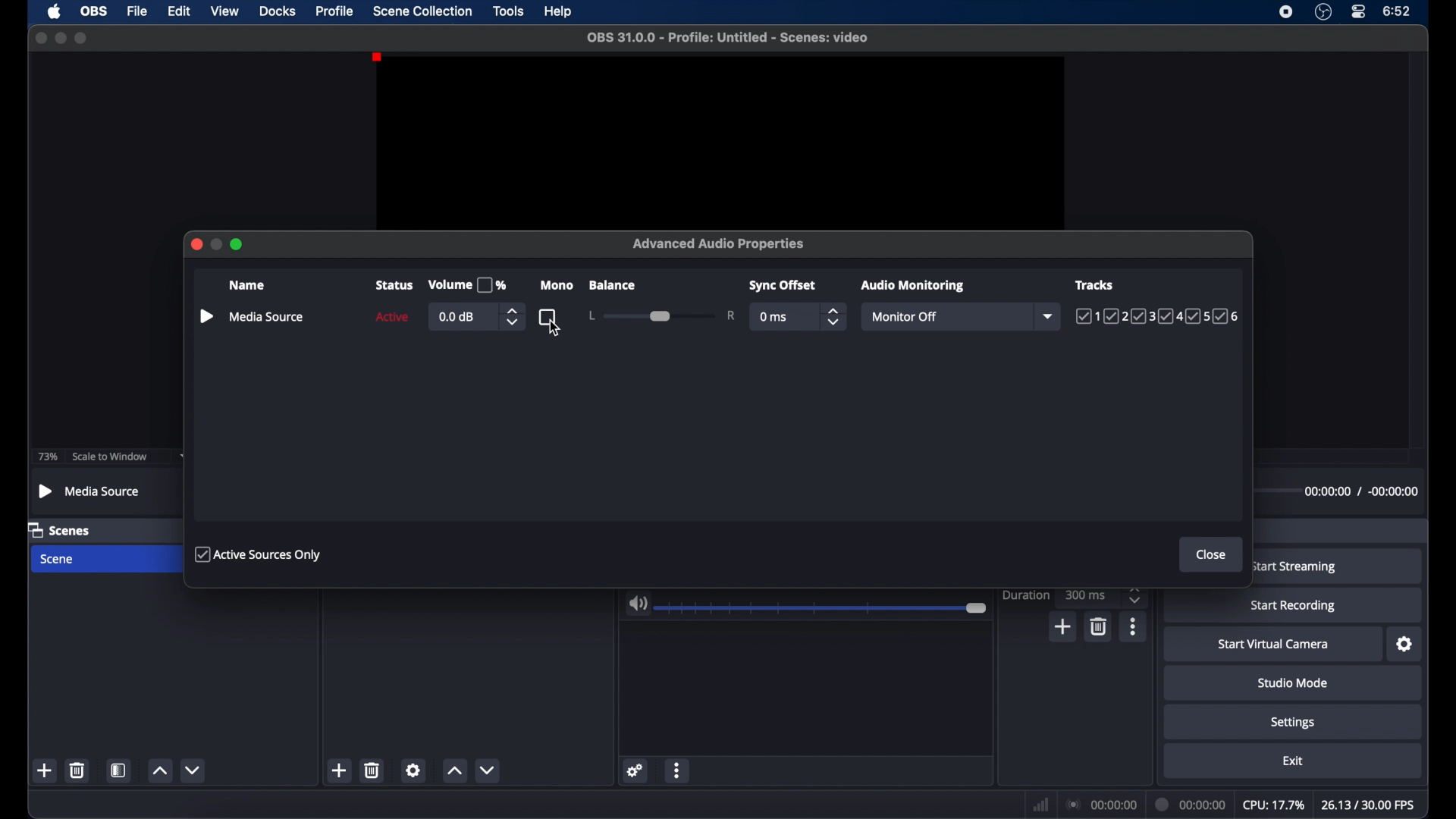  I want to click on 0.0 db, so click(459, 318).